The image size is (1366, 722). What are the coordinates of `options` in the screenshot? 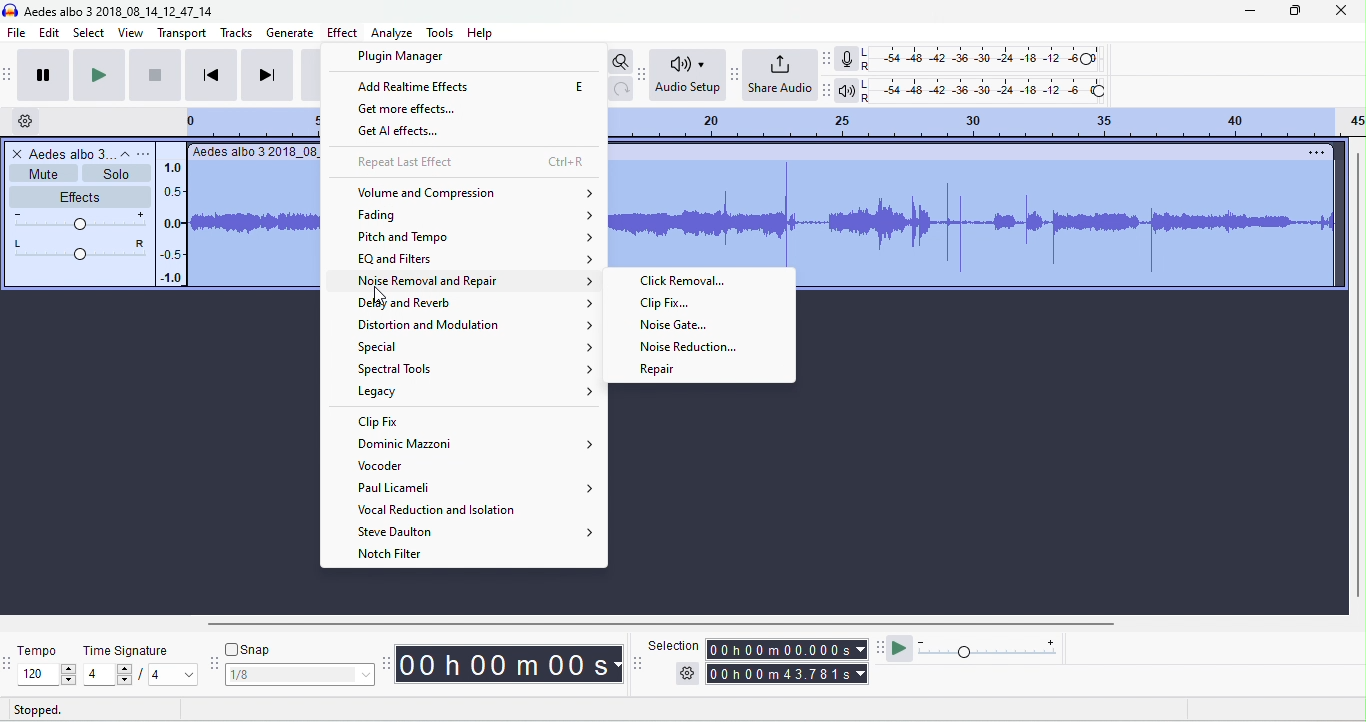 It's located at (1313, 151).